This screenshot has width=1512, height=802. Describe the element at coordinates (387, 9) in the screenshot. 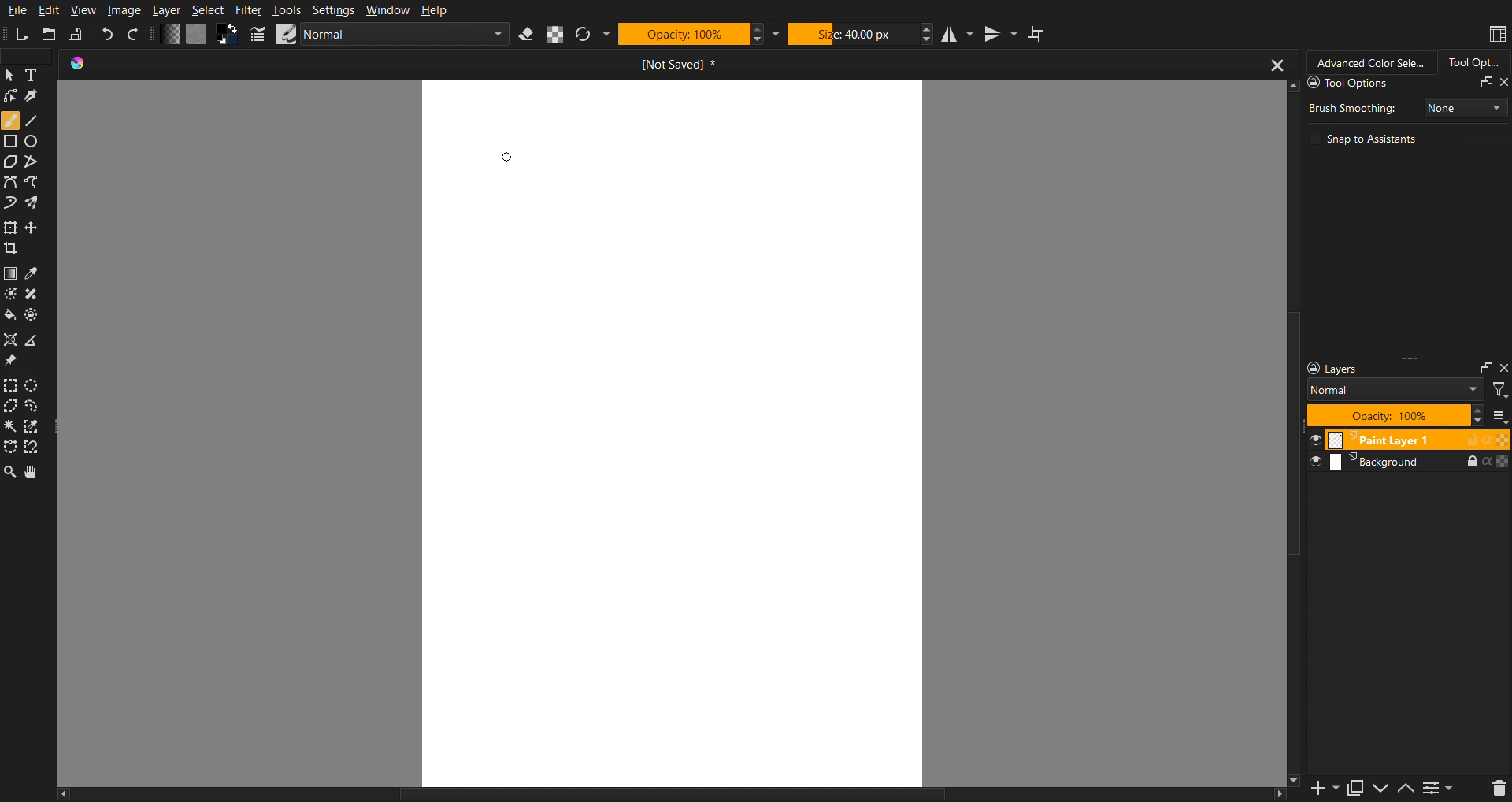

I see `Window` at that location.